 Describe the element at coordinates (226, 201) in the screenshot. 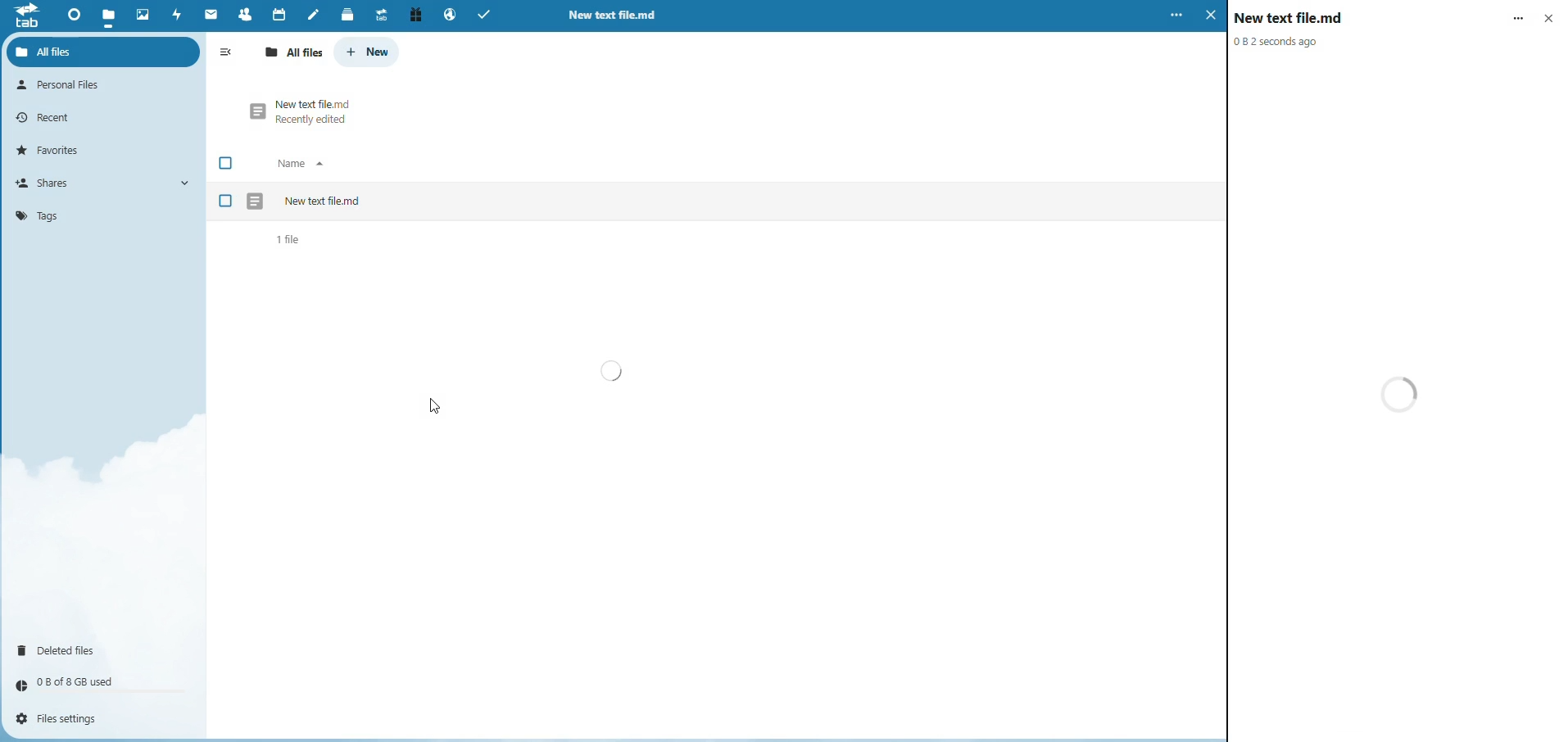

I see `Check box` at that location.